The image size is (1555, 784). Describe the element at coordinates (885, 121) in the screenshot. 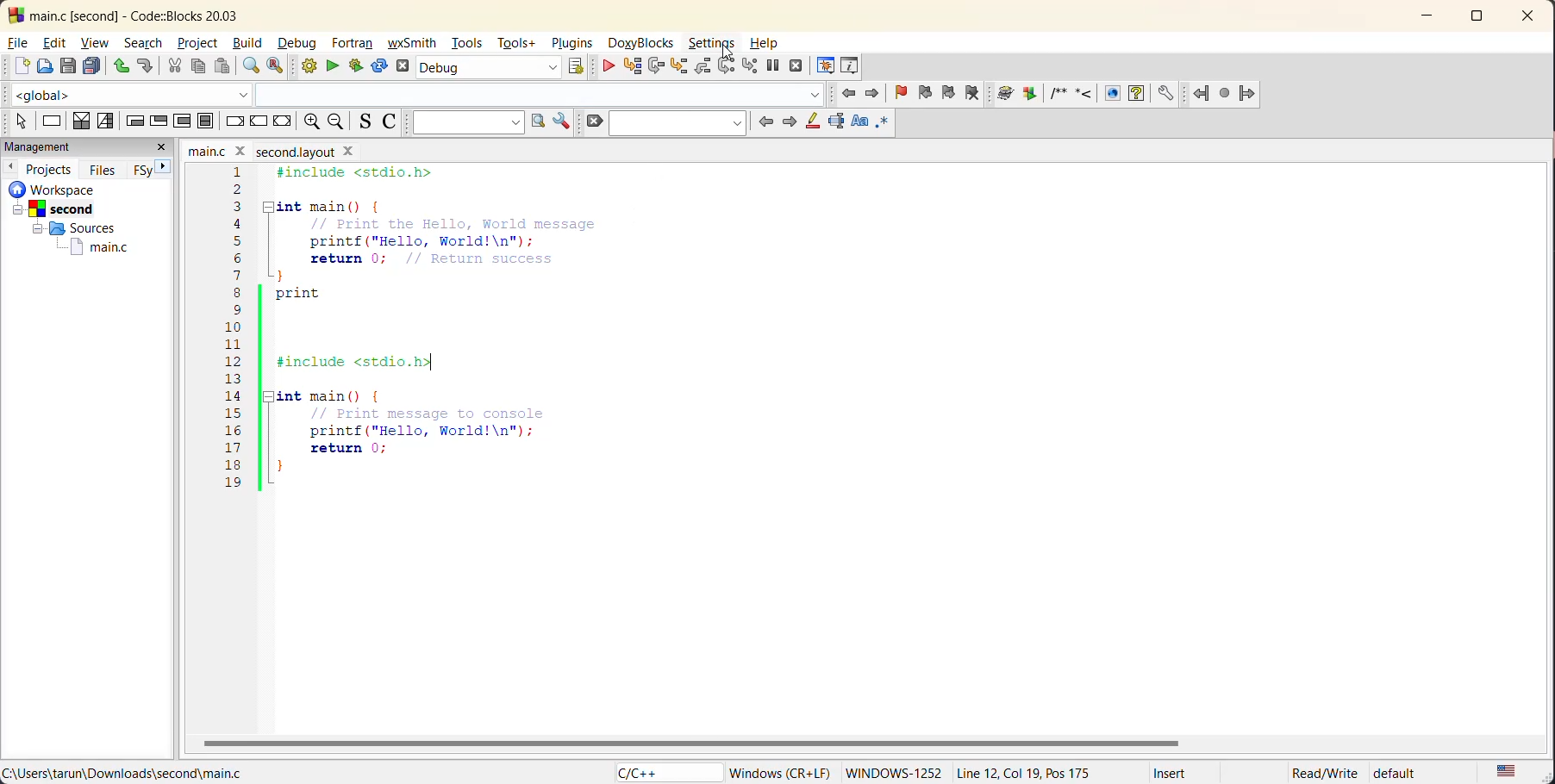

I see `use regex` at that location.